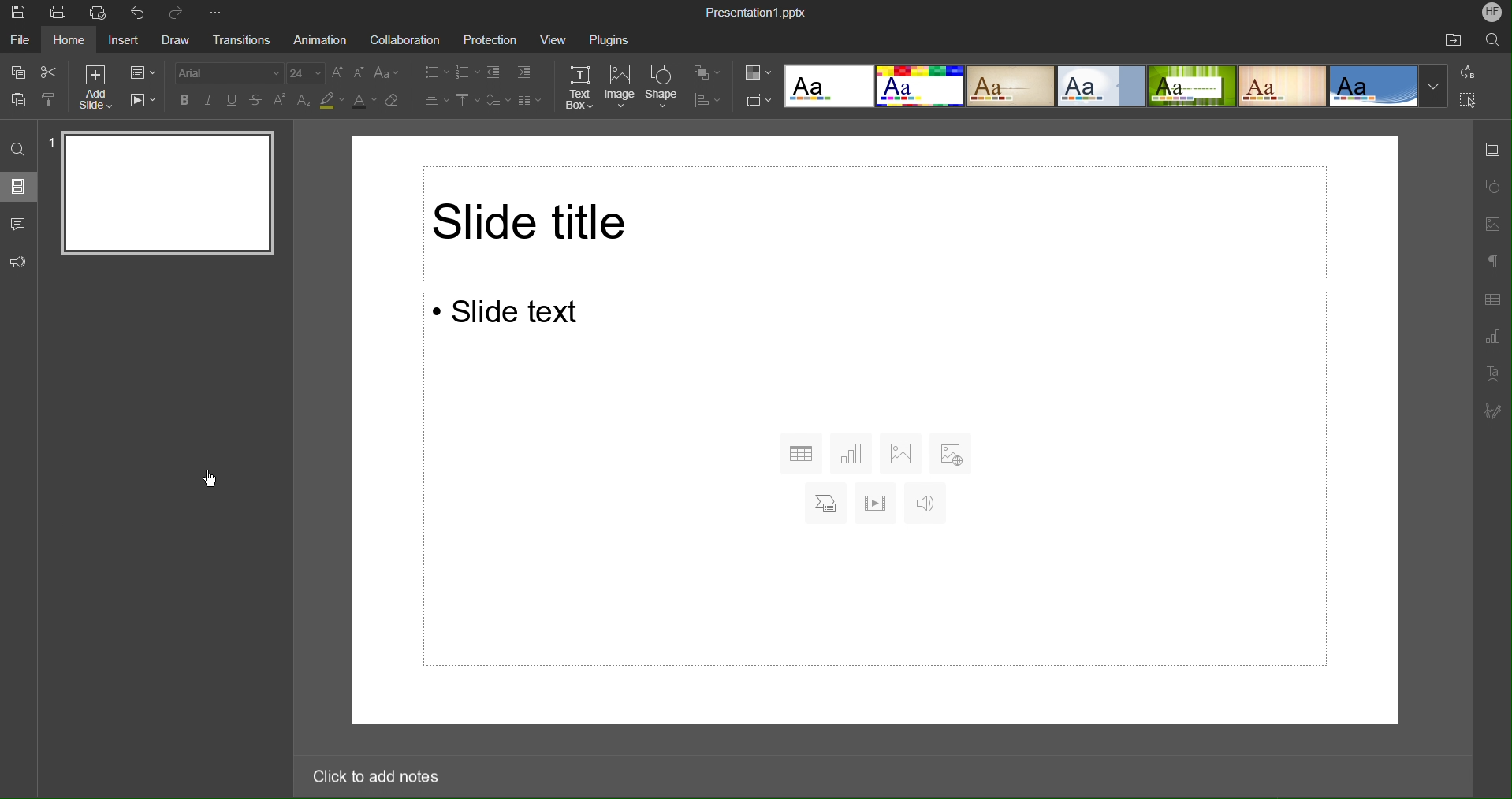 Image resolution: width=1512 pixels, height=799 pixels. Describe the element at coordinates (223, 71) in the screenshot. I see `Font ` at that location.